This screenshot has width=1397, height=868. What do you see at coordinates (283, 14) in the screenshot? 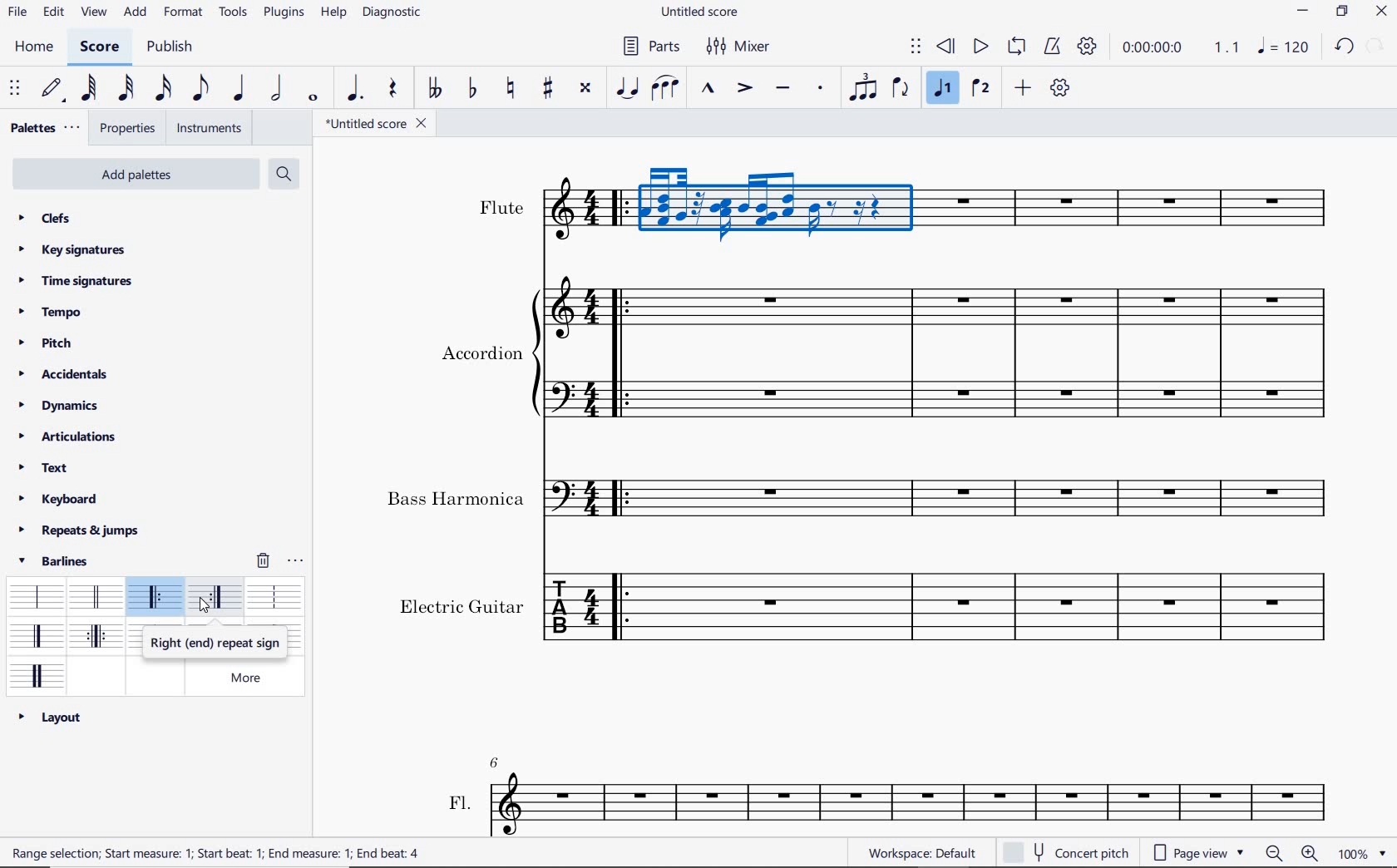
I see `plugins` at bounding box center [283, 14].